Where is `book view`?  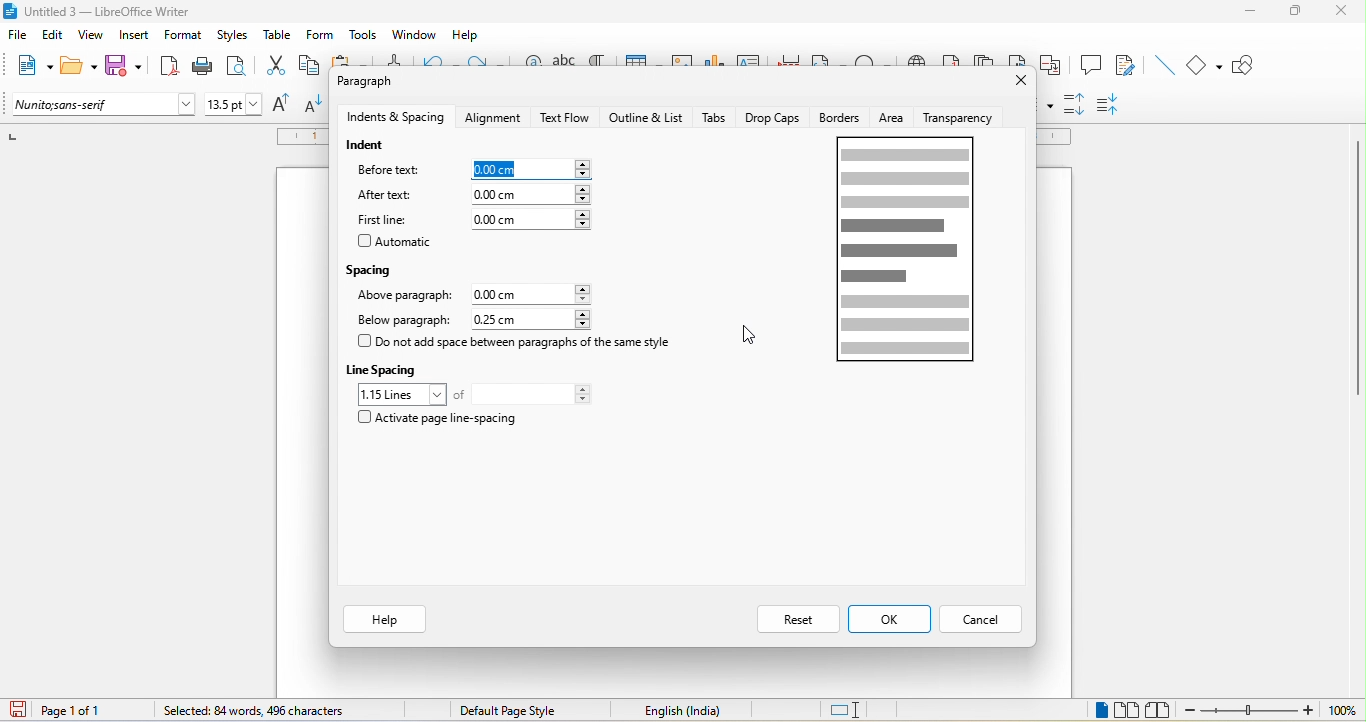 book view is located at coordinates (1162, 710).